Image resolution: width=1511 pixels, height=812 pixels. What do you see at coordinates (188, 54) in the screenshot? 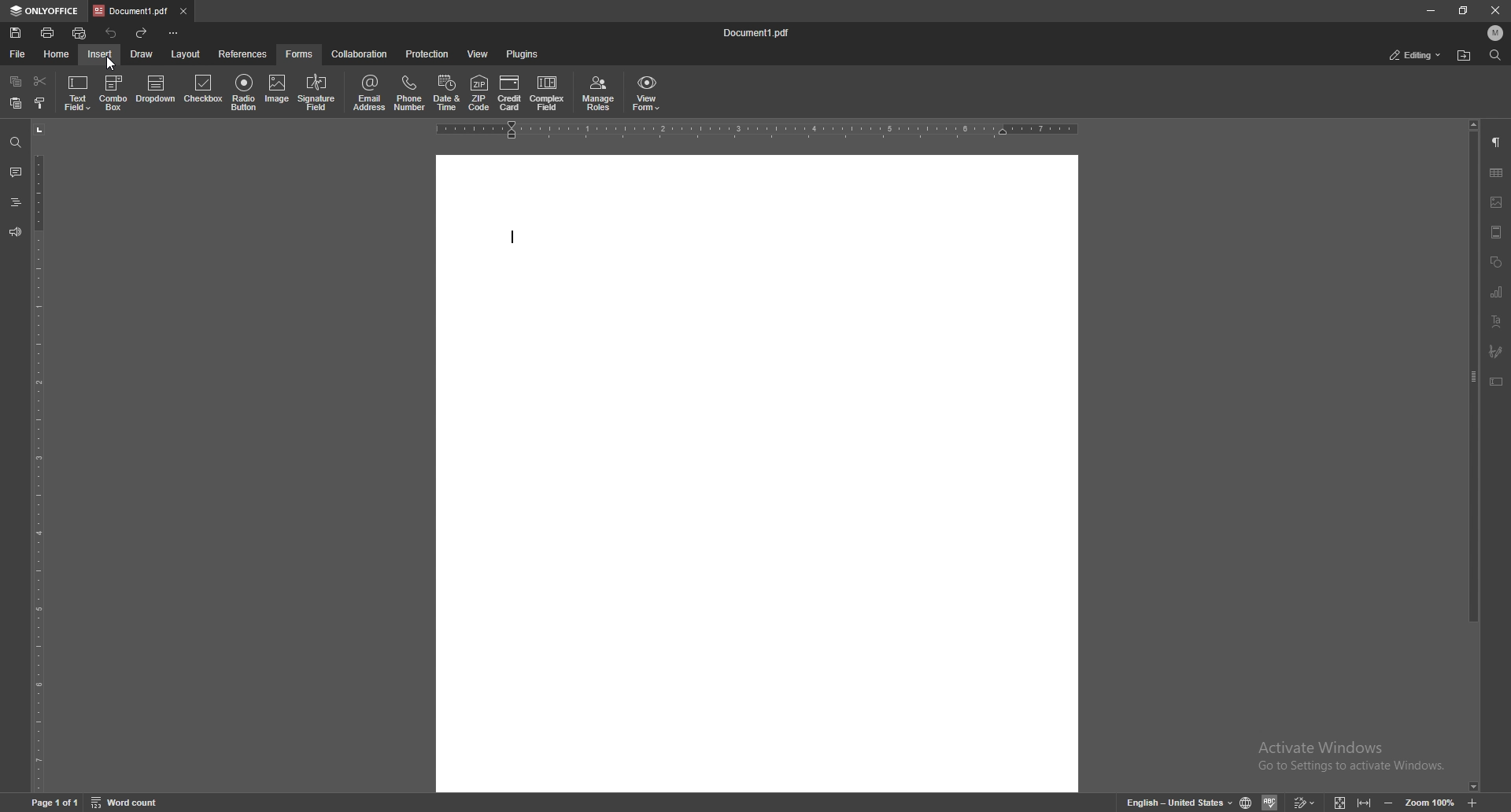
I see `layout` at bounding box center [188, 54].